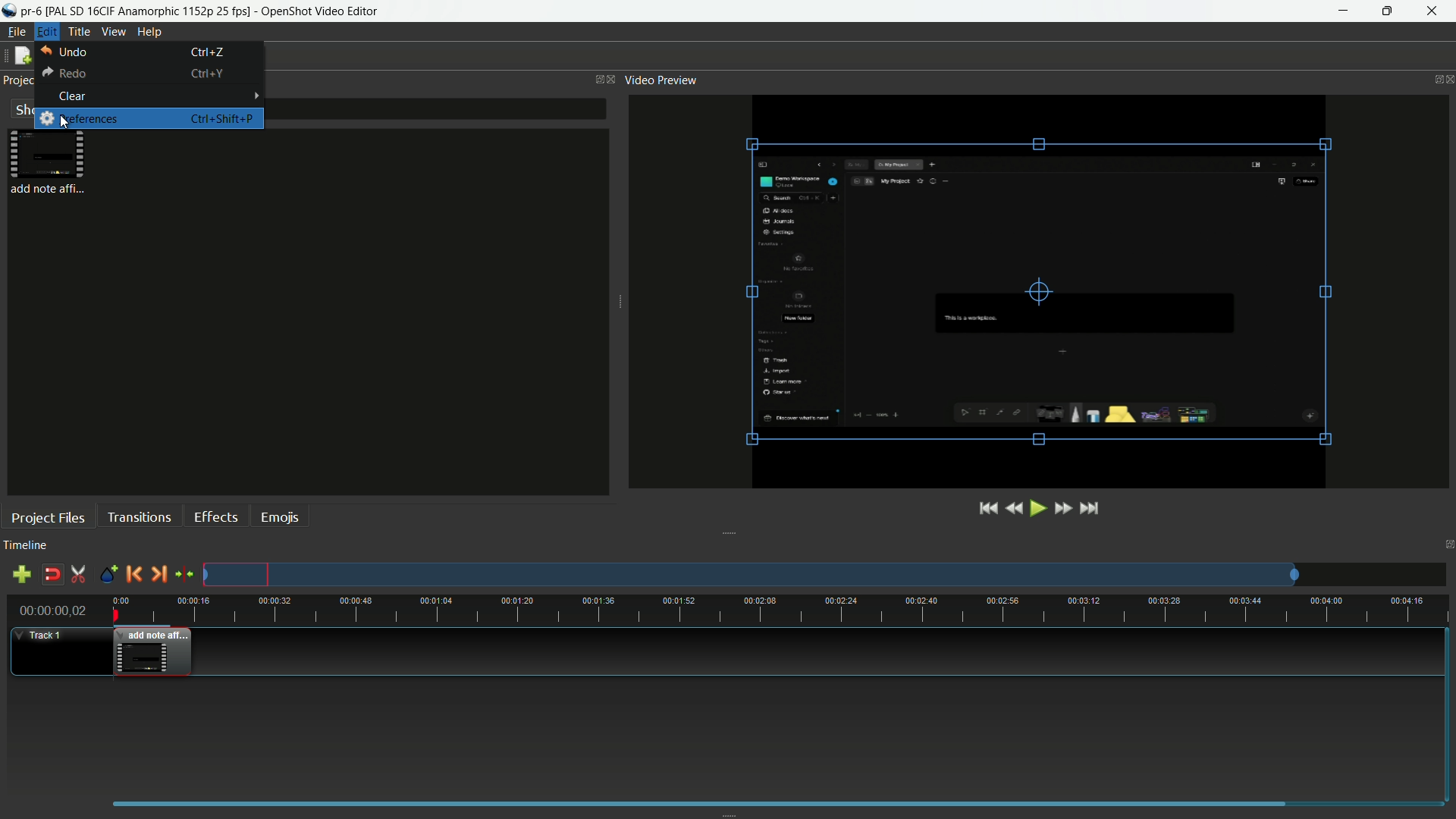 Image resolution: width=1456 pixels, height=819 pixels. Describe the element at coordinates (184, 573) in the screenshot. I see `center the timeline on the playhead` at that location.